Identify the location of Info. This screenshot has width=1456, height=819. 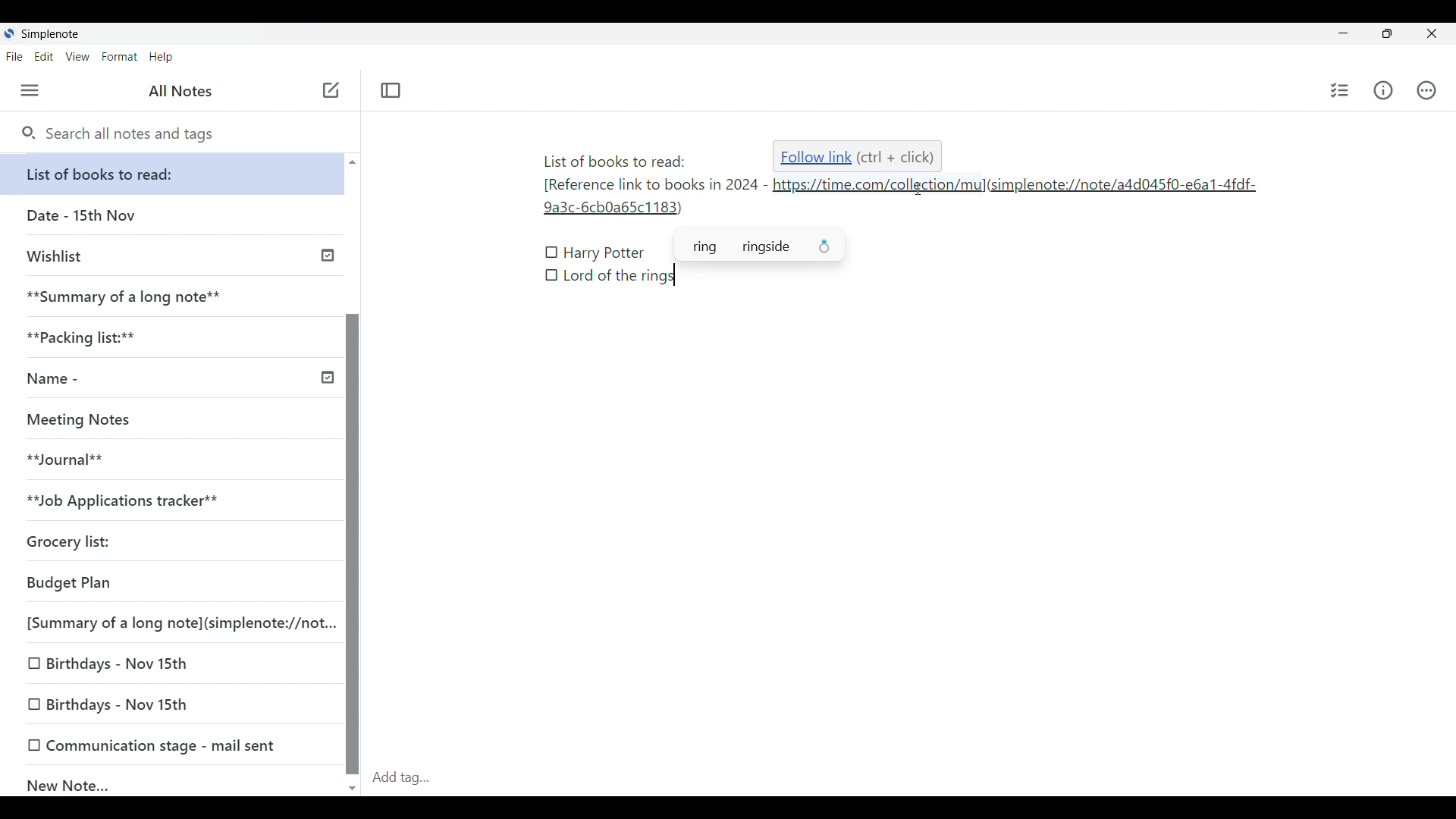
(1383, 90).